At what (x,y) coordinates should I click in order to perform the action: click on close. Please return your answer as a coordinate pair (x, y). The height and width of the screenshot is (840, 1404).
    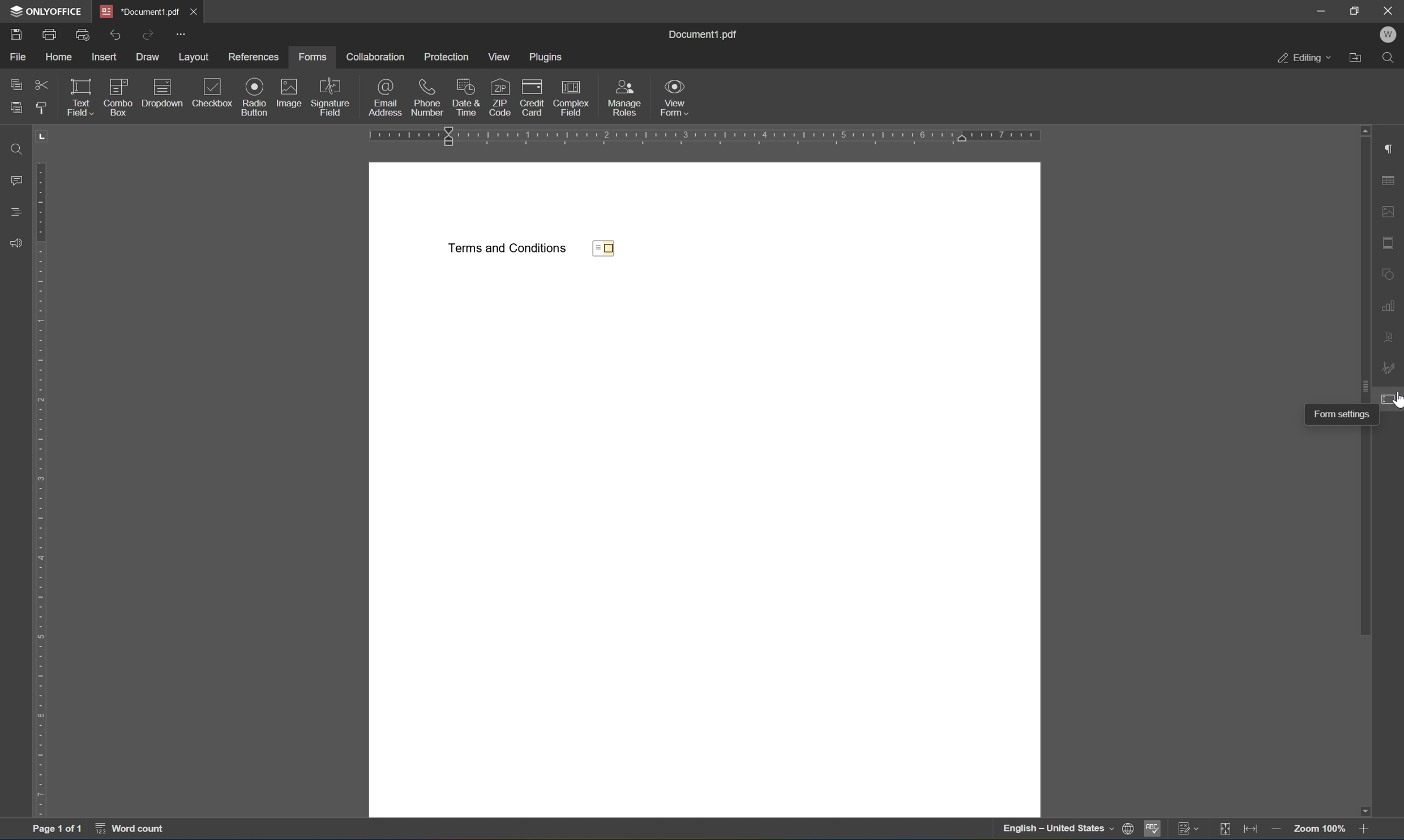
    Looking at the image, I should click on (195, 11).